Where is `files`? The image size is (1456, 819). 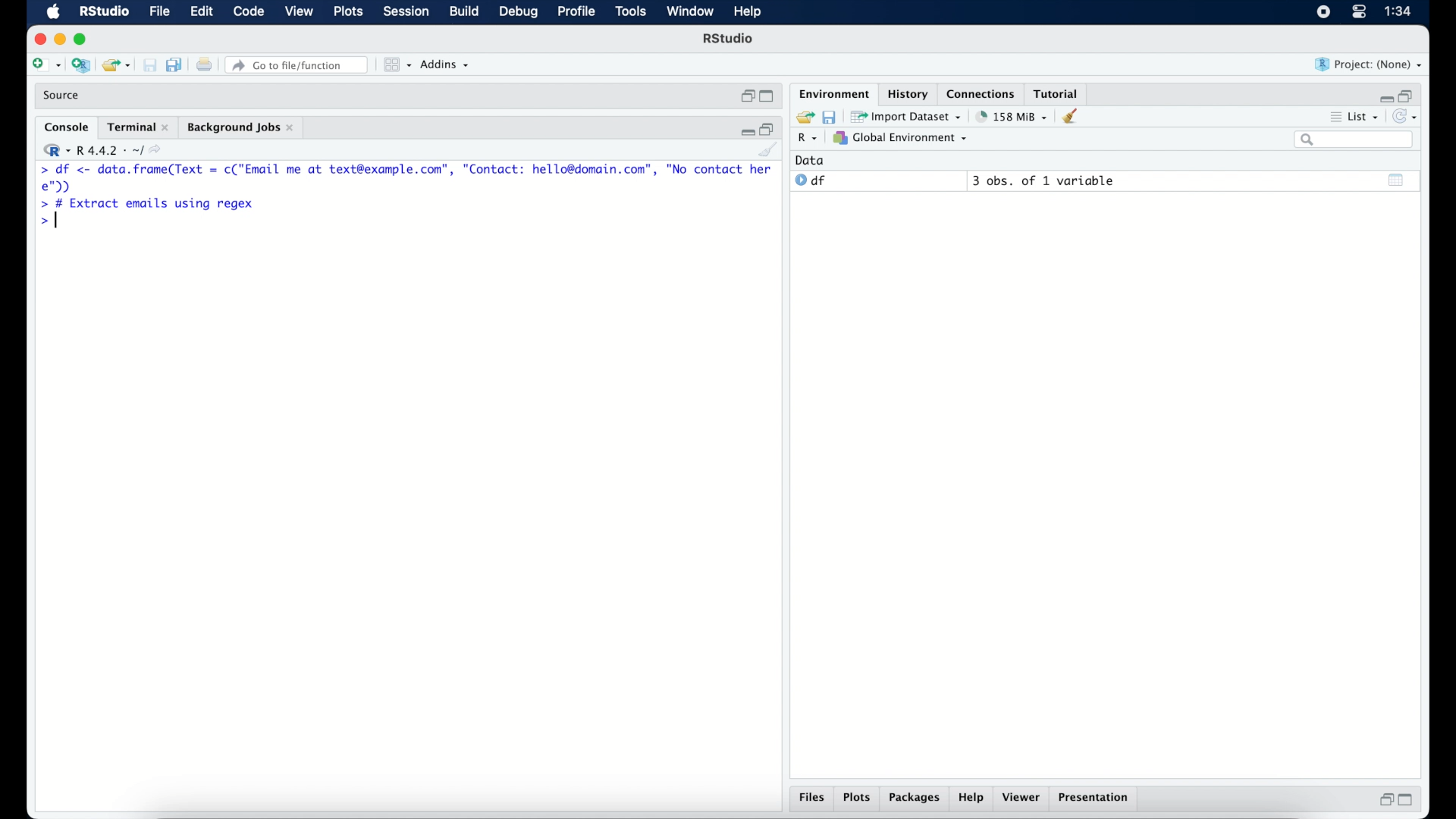 files is located at coordinates (810, 797).